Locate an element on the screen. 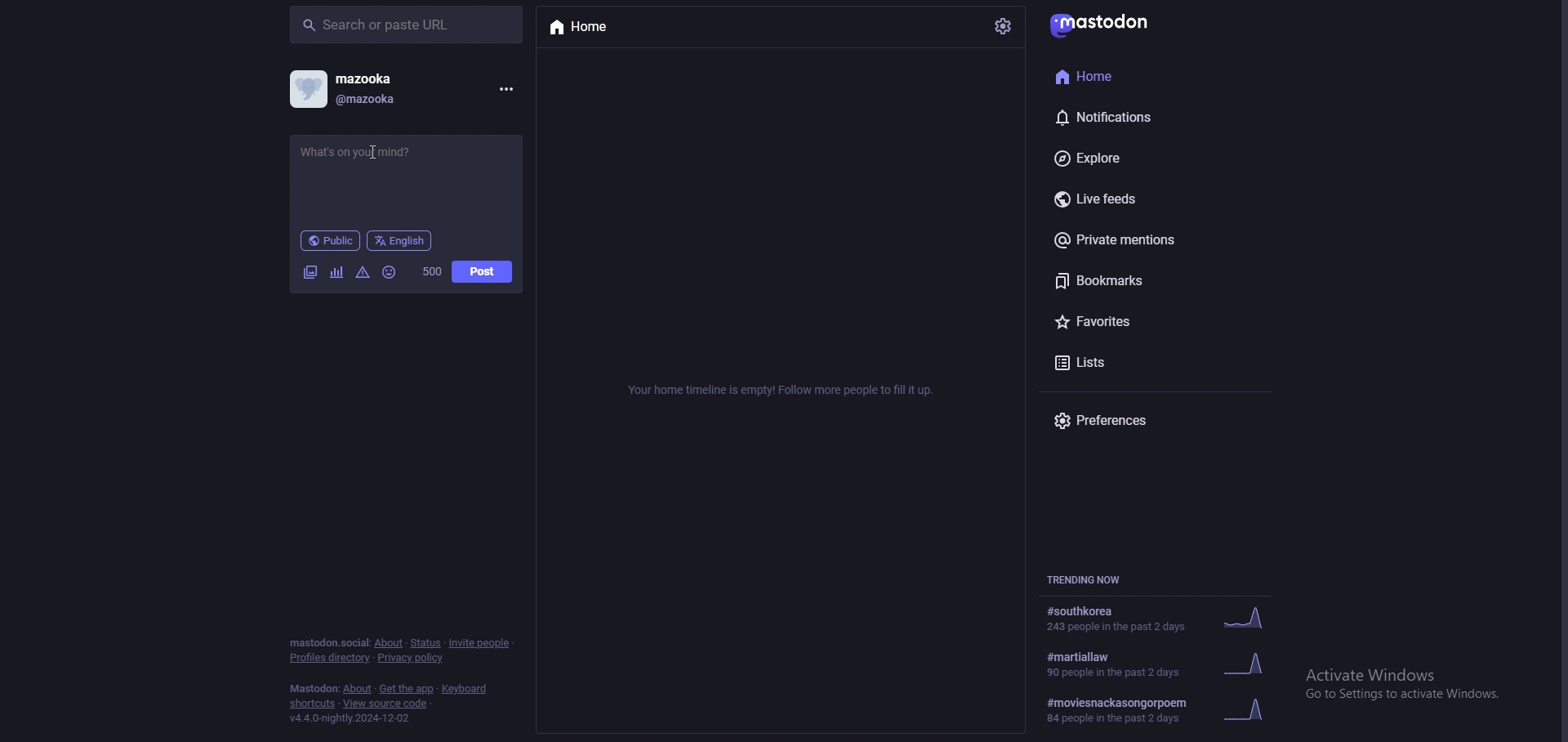  emoji is located at coordinates (390, 272).